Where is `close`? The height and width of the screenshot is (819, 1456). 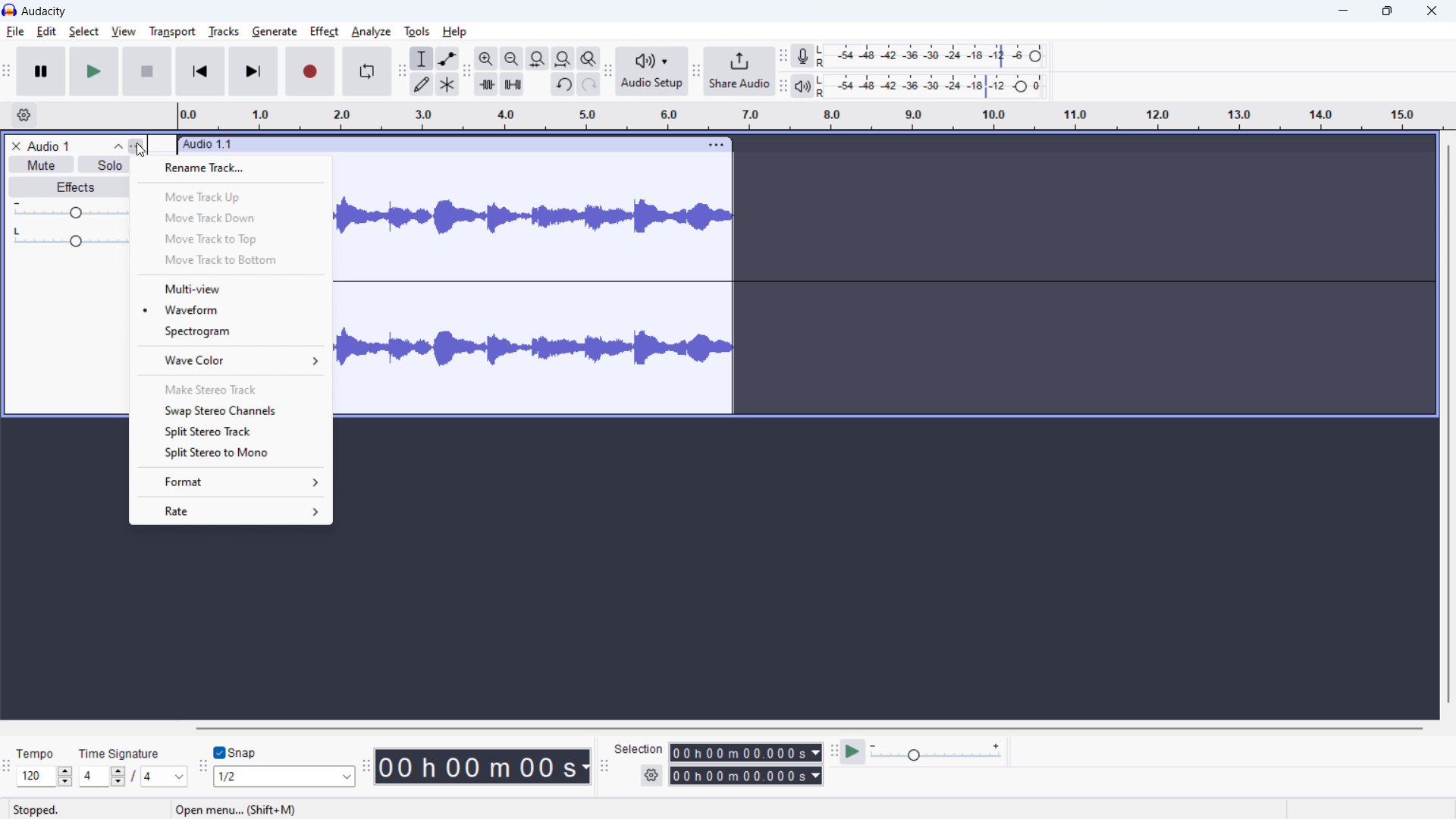 close is located at coordinates (1433, 11).